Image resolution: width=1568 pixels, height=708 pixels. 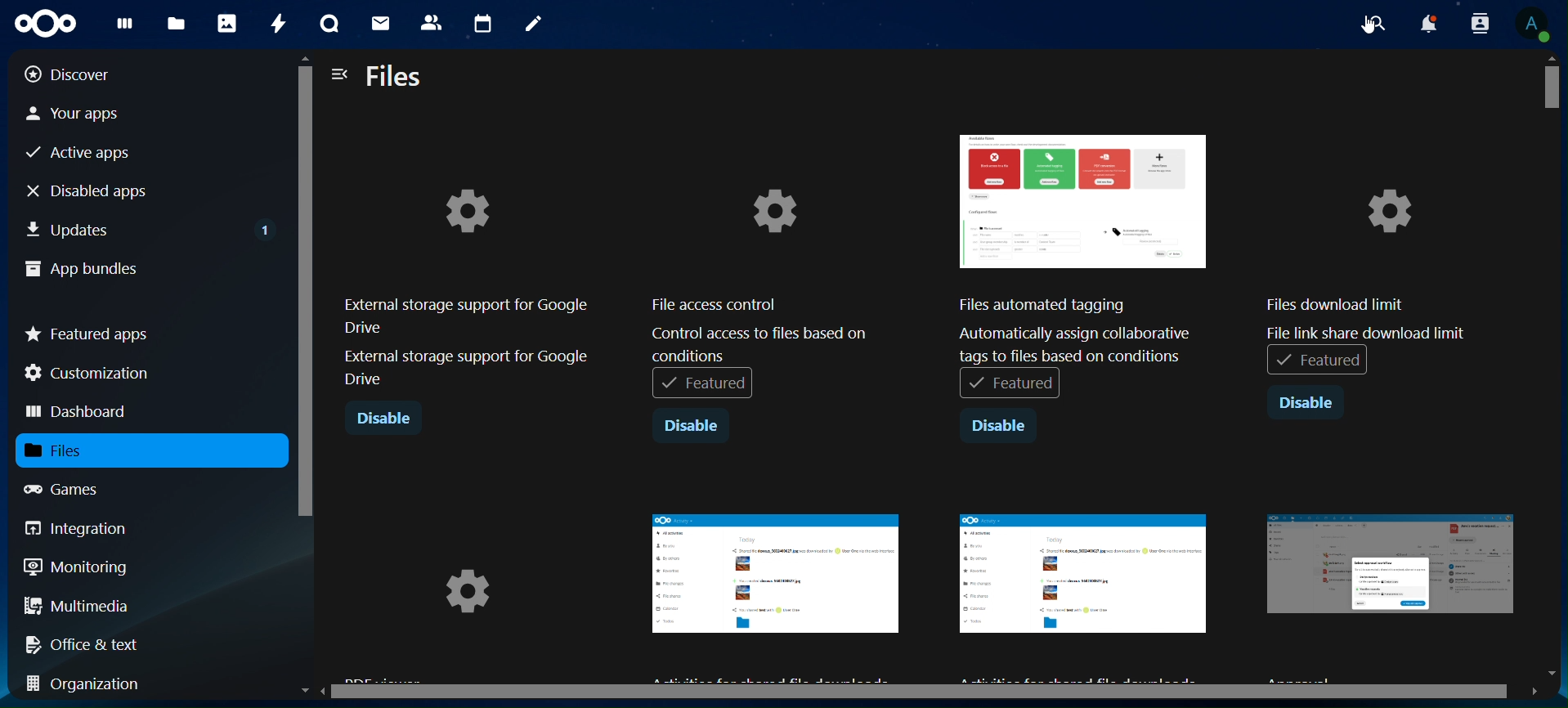 I want to click on office & text, so click(x=87, y=643).